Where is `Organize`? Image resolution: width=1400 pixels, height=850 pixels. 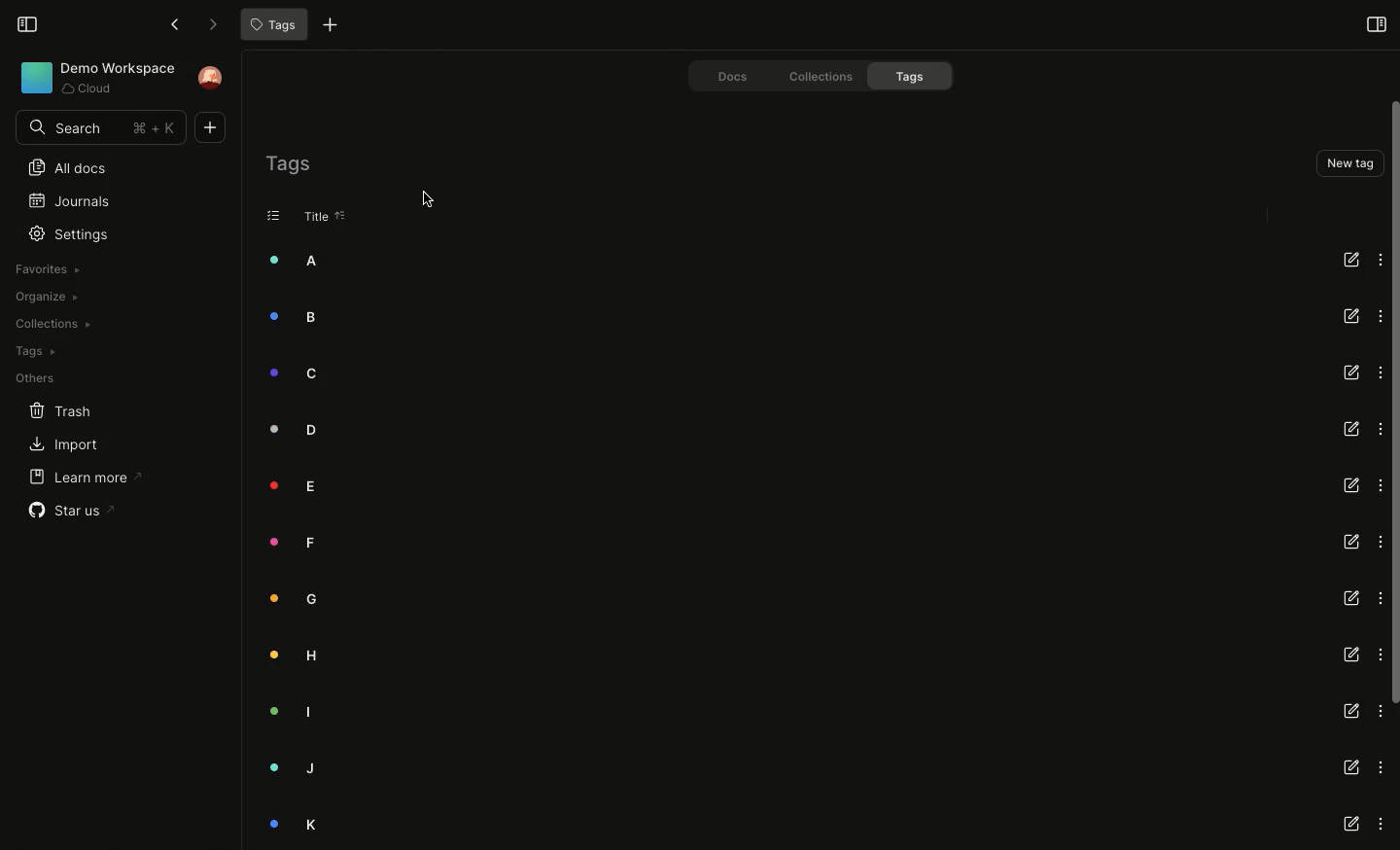
Organize is located at coordinates (44, 298).